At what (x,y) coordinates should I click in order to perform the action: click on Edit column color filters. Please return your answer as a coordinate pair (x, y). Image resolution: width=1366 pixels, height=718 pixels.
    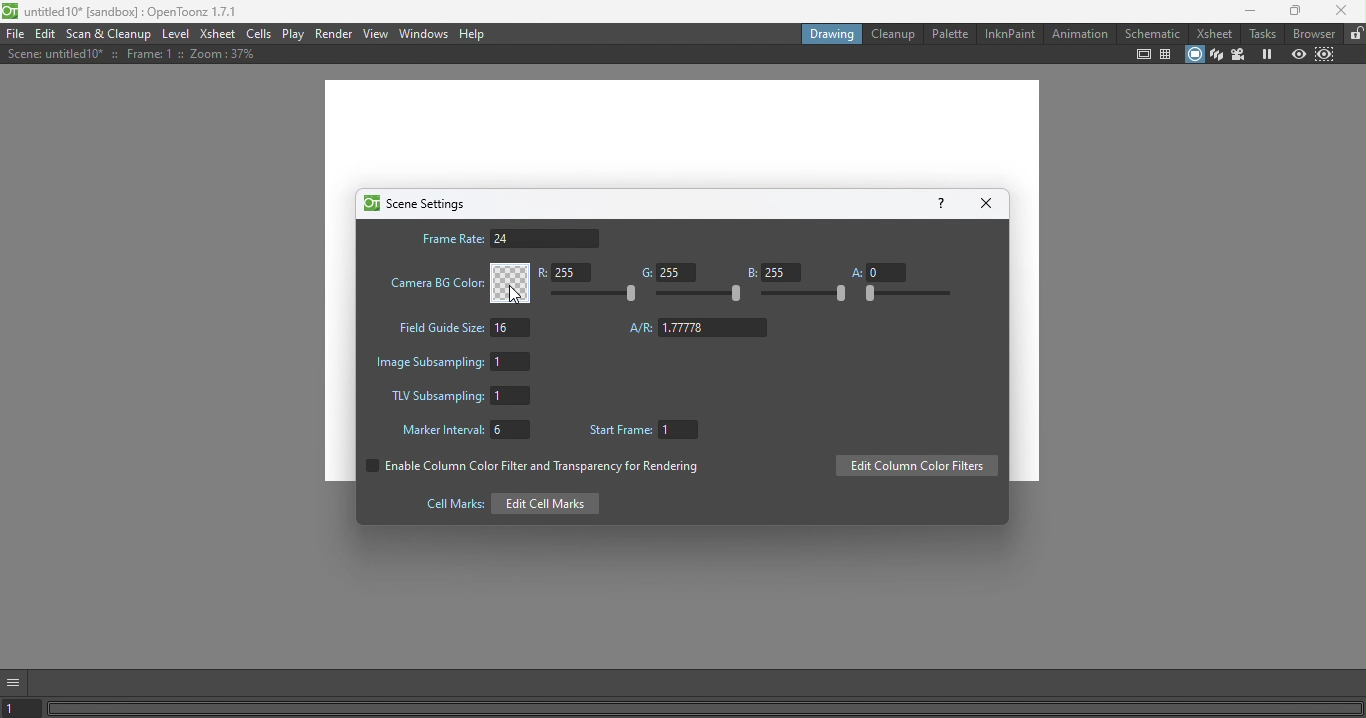
    Looking at the image, I should click on (916, 467).